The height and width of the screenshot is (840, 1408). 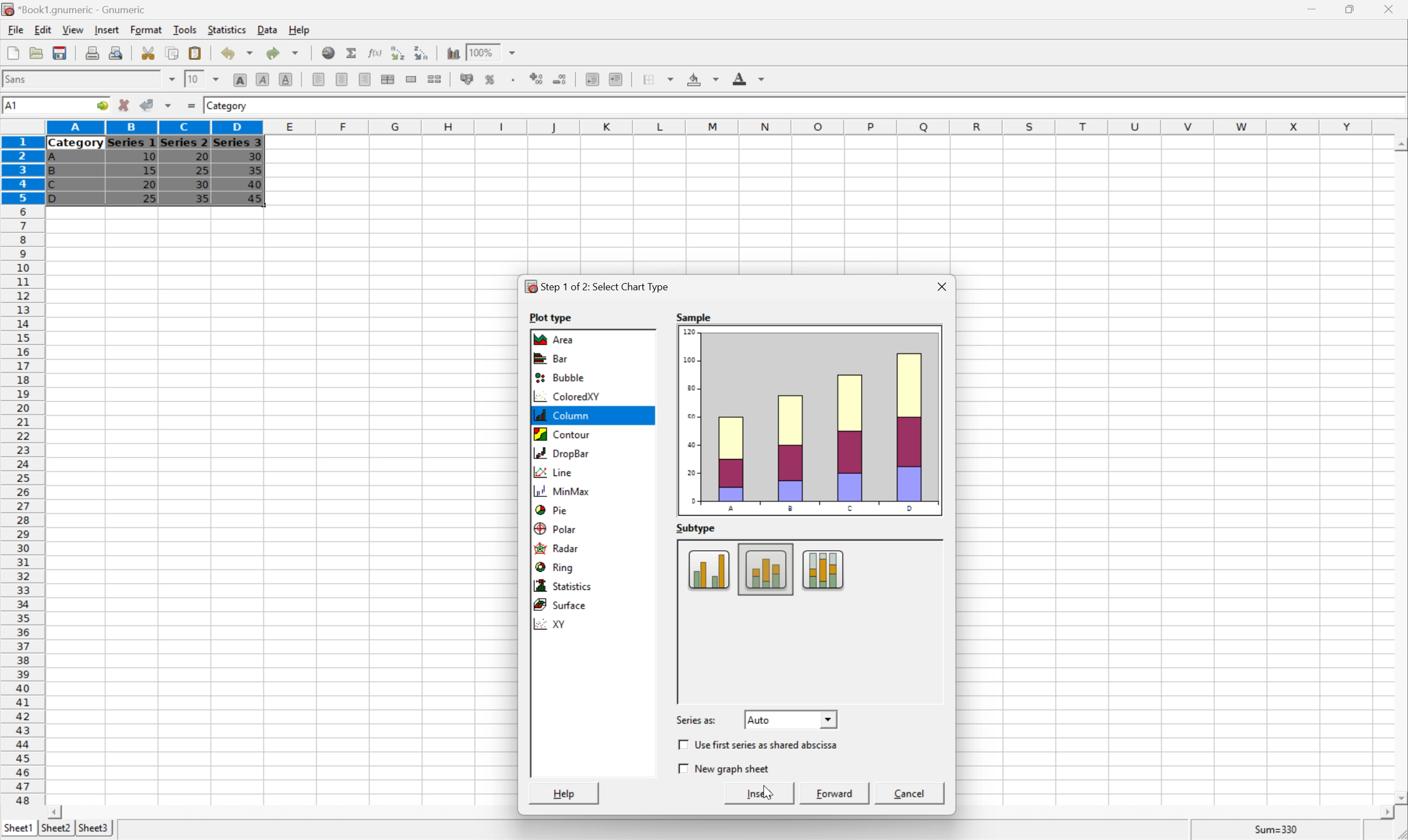 I want to click on Series 1, so click(x=132, y=143).